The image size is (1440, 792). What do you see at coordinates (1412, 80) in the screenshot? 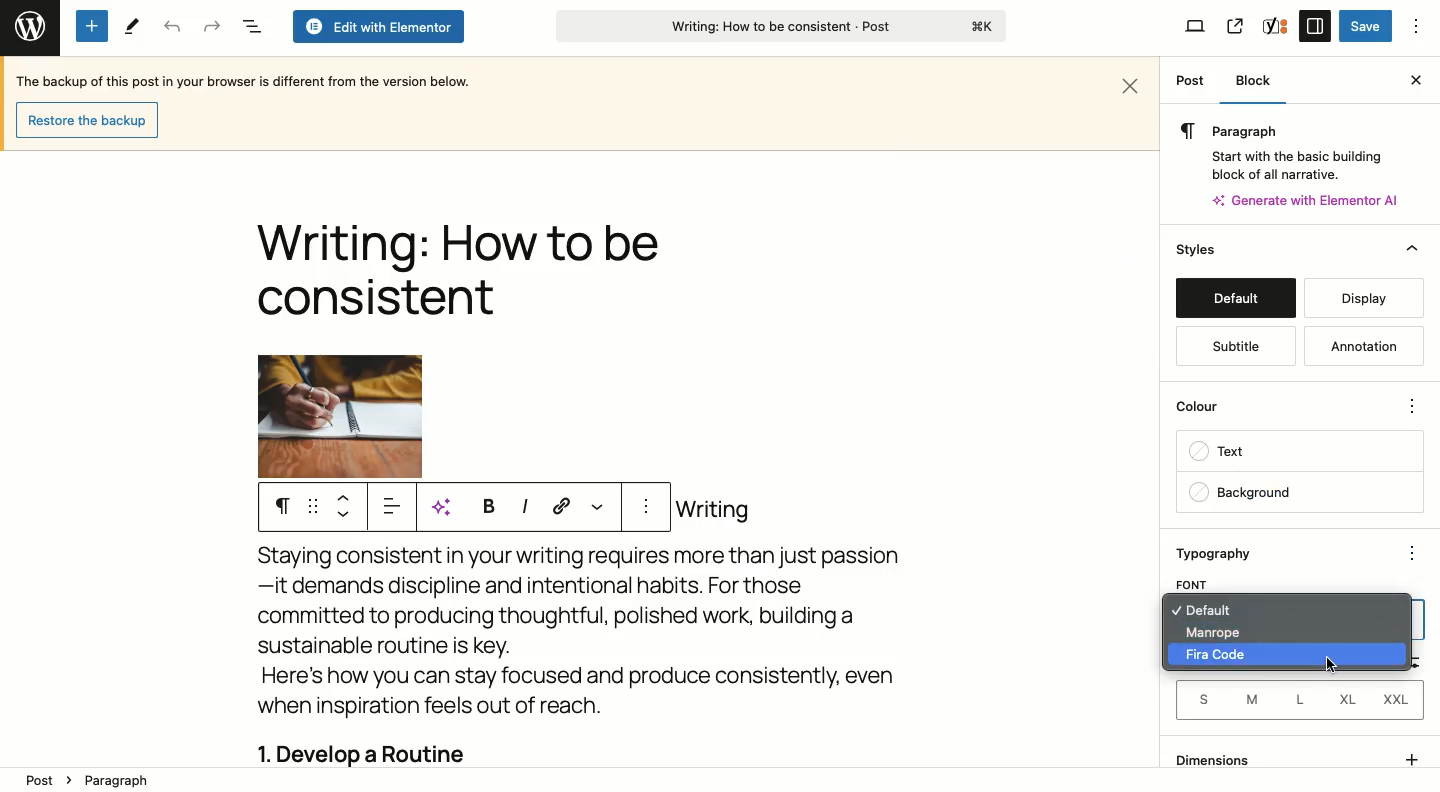
I see `Close` at bounding box center [1412, 80].